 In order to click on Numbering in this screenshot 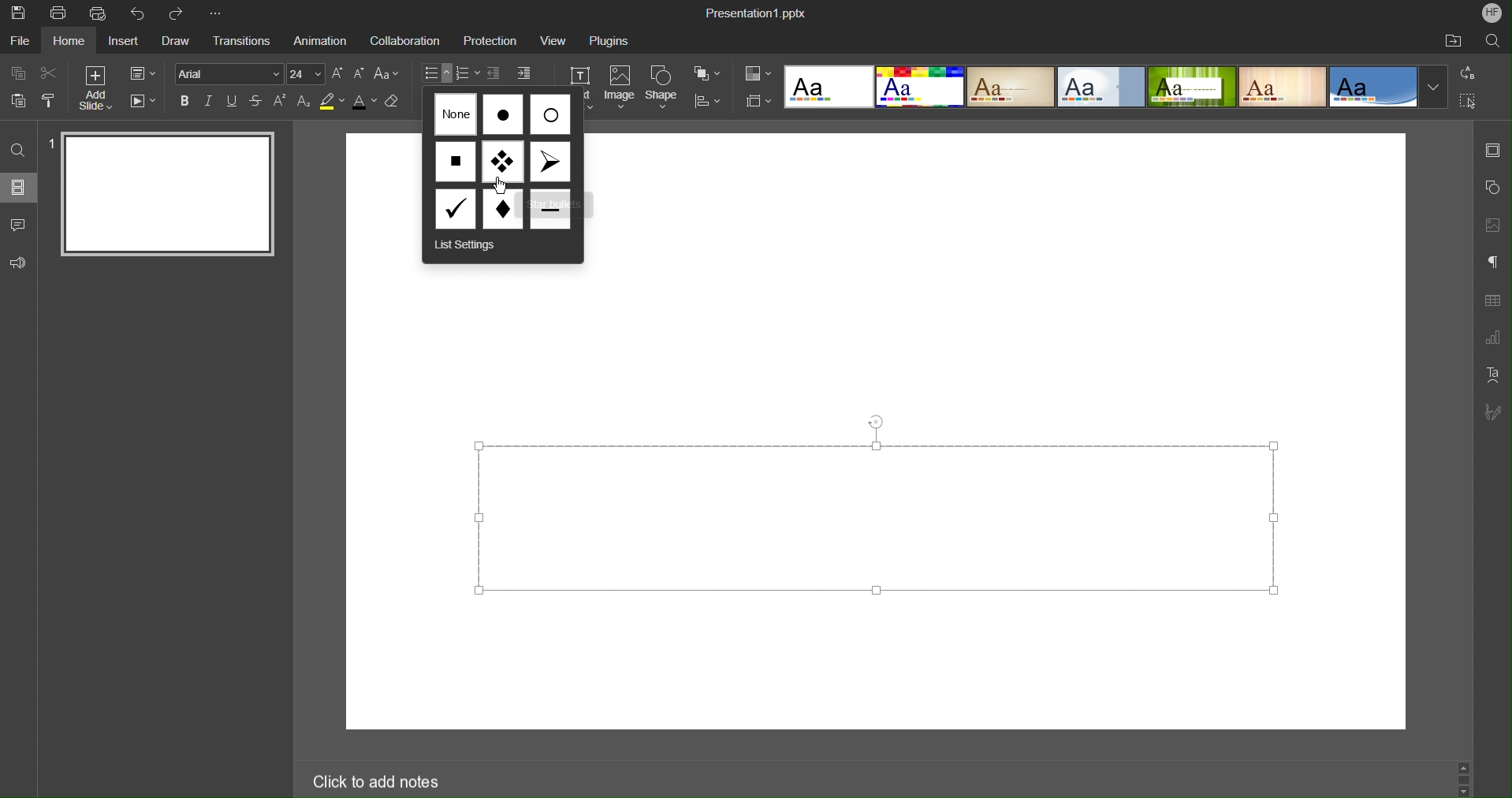, I will do `click(467, 73)`.